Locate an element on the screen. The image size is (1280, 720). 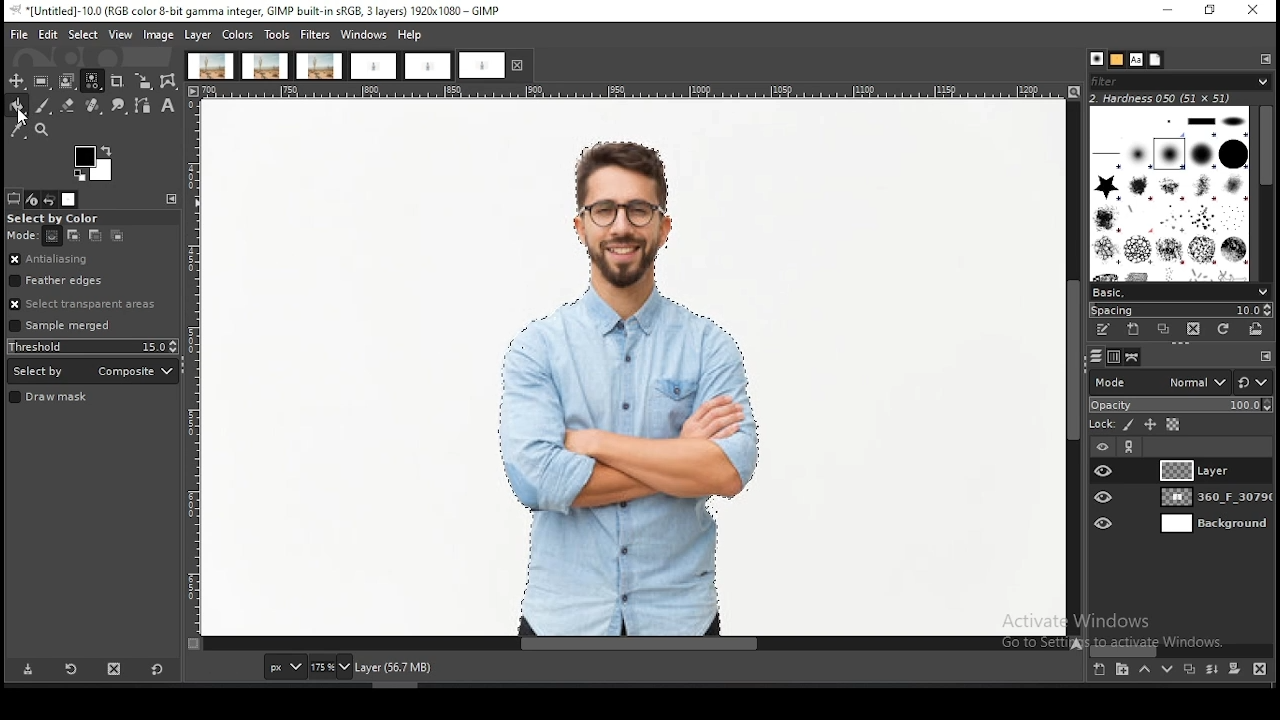
opacity is located at coordinates (1180, 406).